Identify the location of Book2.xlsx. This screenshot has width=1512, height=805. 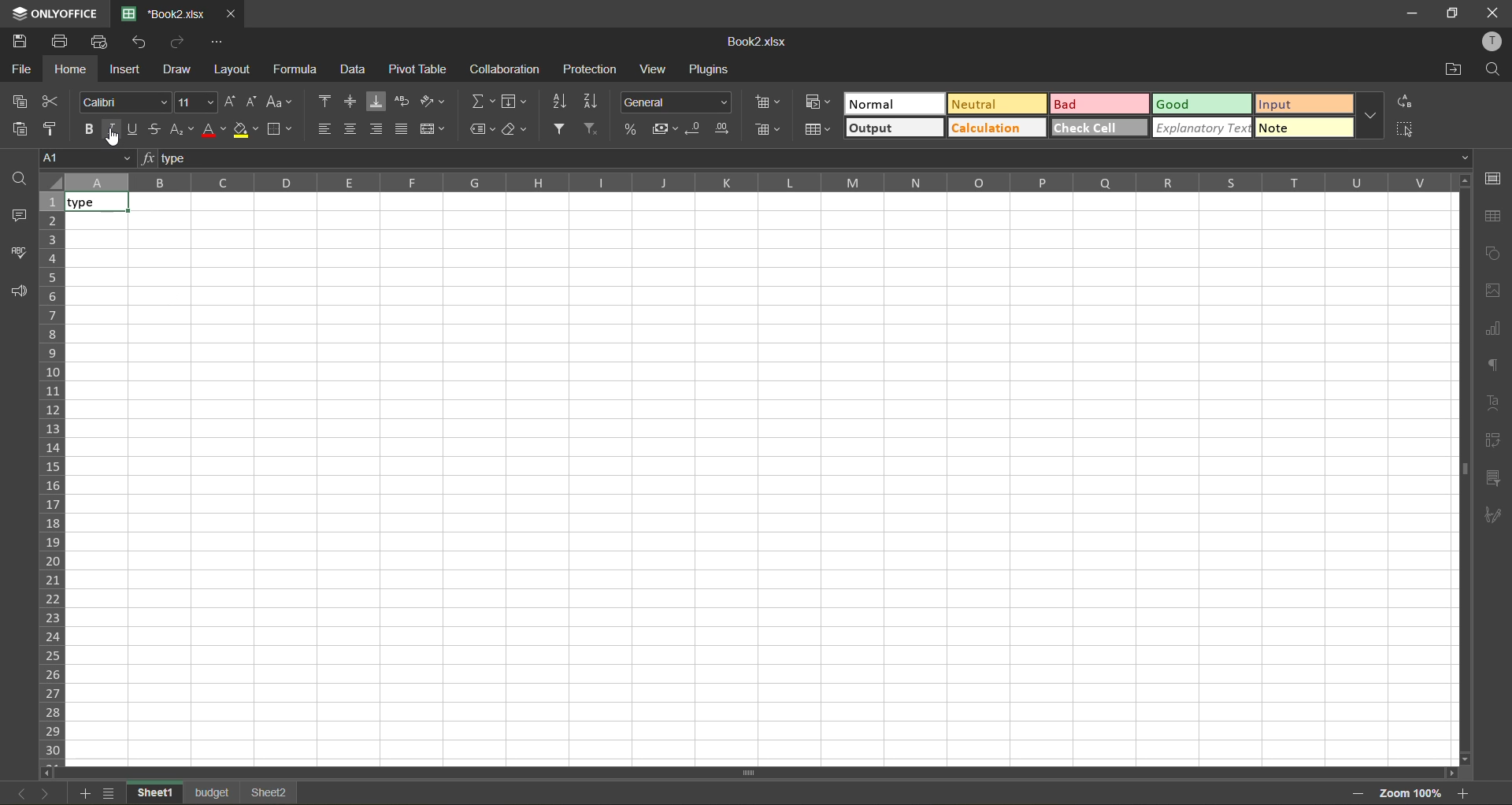
(756, 44).